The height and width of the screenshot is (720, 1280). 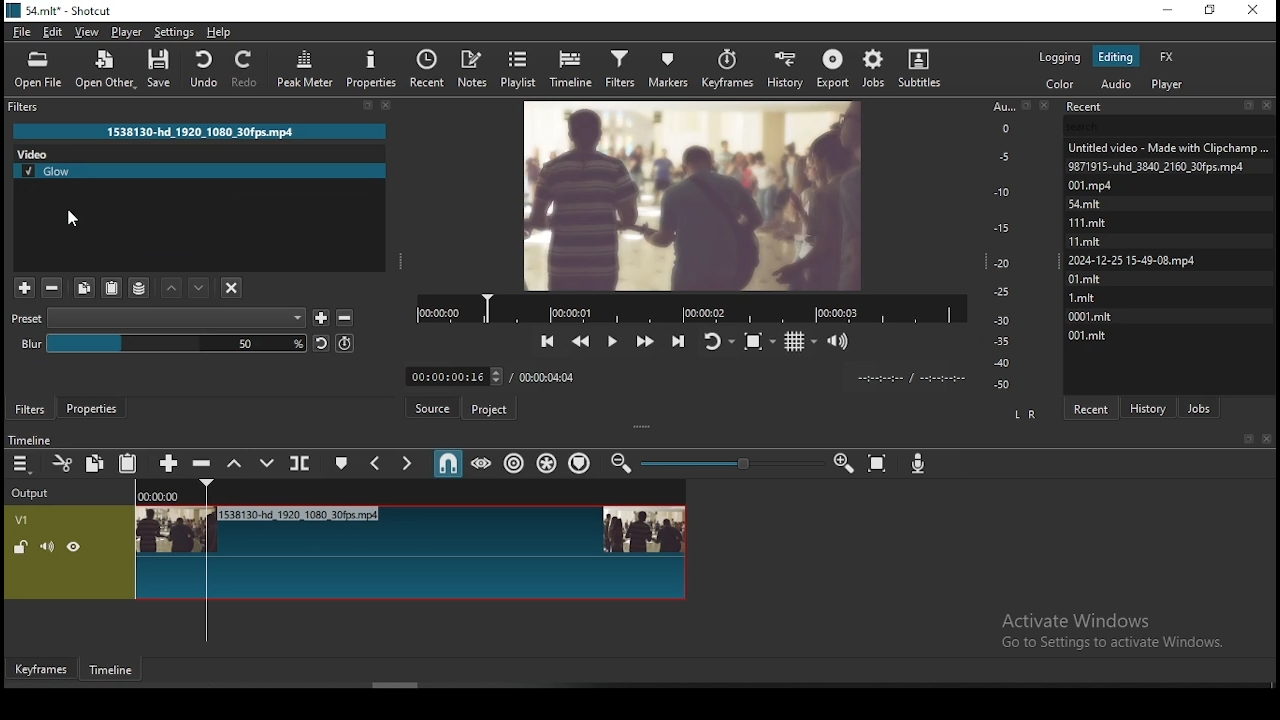 I want to click on 11.mit, so click(x=1090, y=241).